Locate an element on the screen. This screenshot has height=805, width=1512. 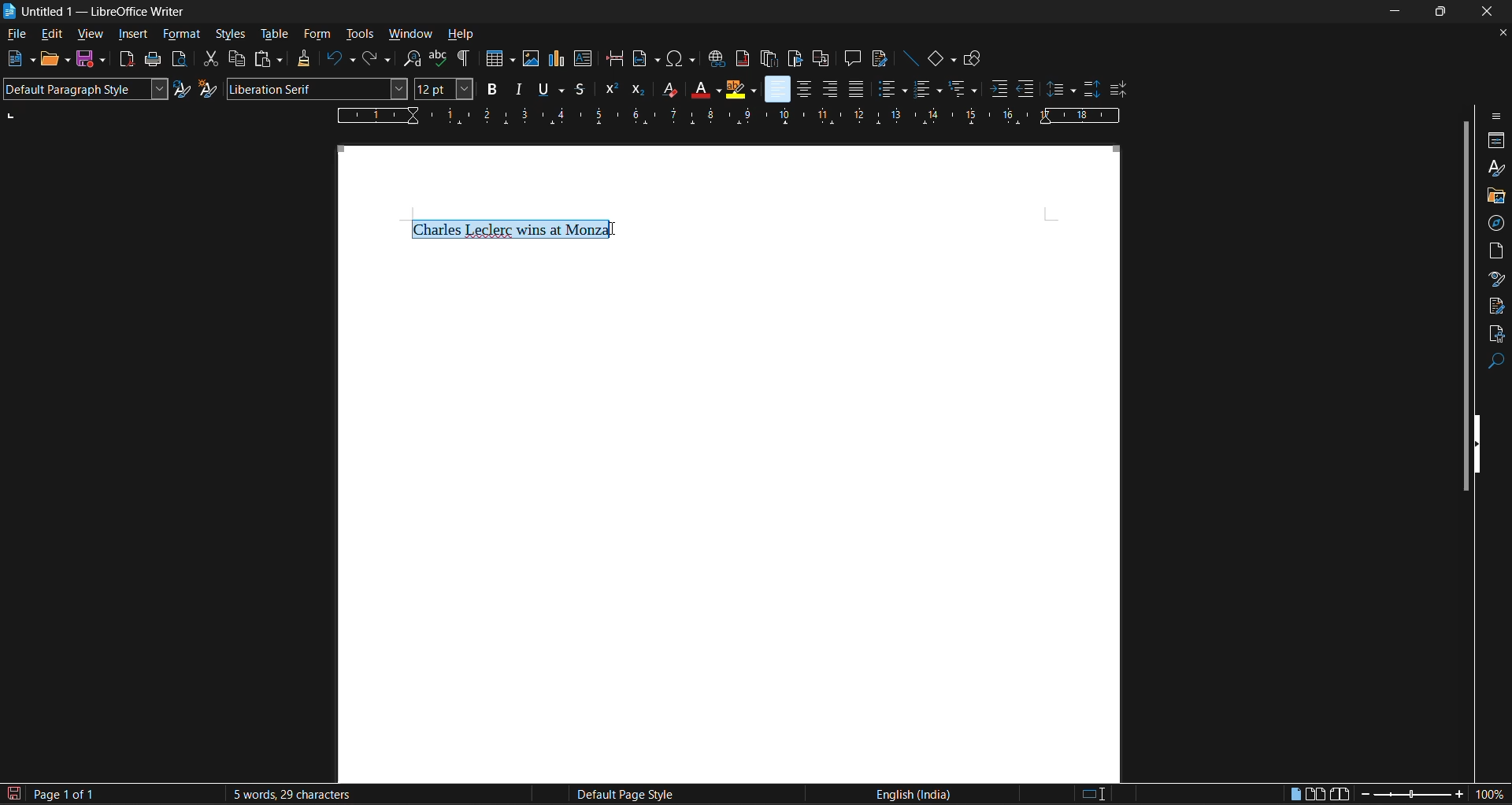
styles is located at coordinates (1494, 167).